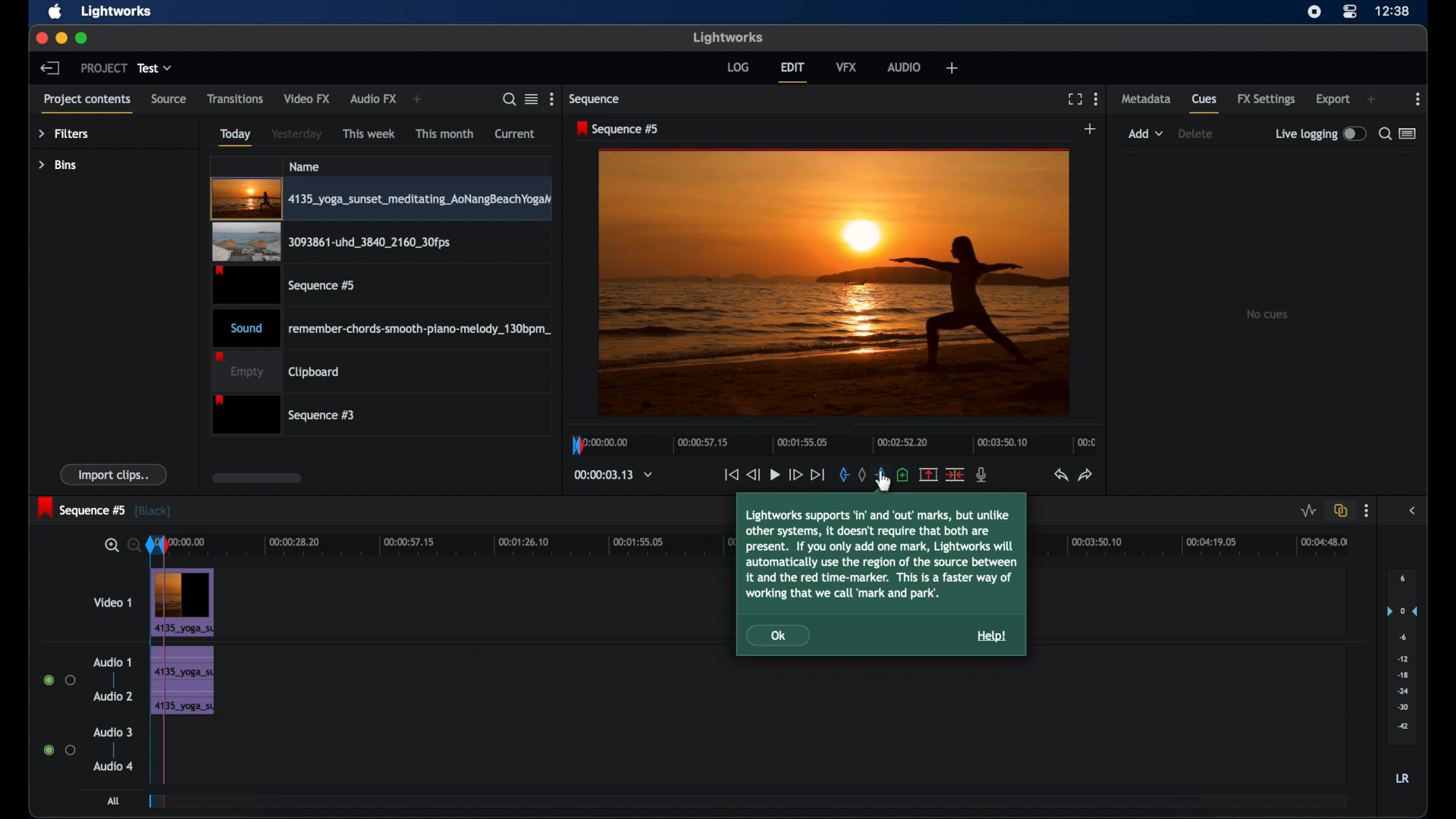  What do you see at coordinates (1402, 652) in the screenshot?
I see `audio output level` at bounding box center [1402, 652].